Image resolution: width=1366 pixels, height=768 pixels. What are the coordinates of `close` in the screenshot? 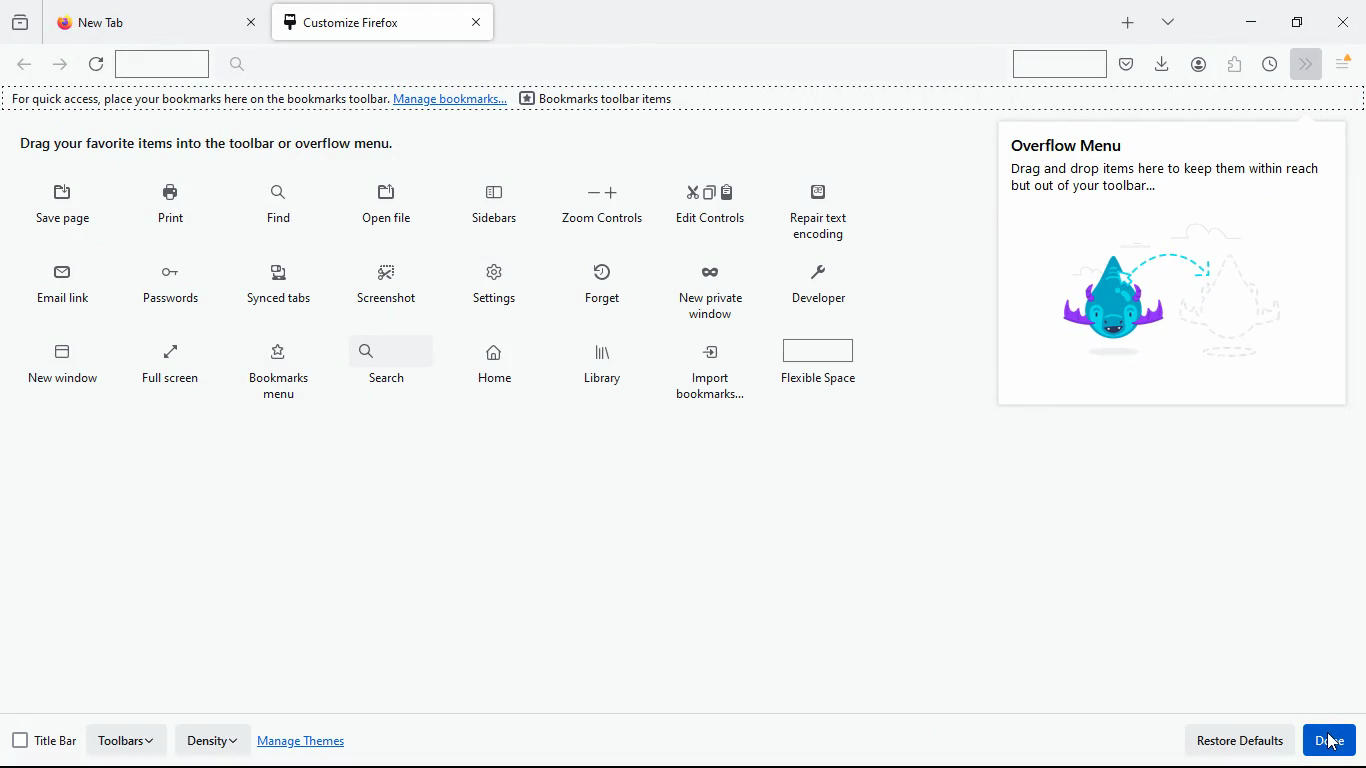 It's located at (1345, 25).